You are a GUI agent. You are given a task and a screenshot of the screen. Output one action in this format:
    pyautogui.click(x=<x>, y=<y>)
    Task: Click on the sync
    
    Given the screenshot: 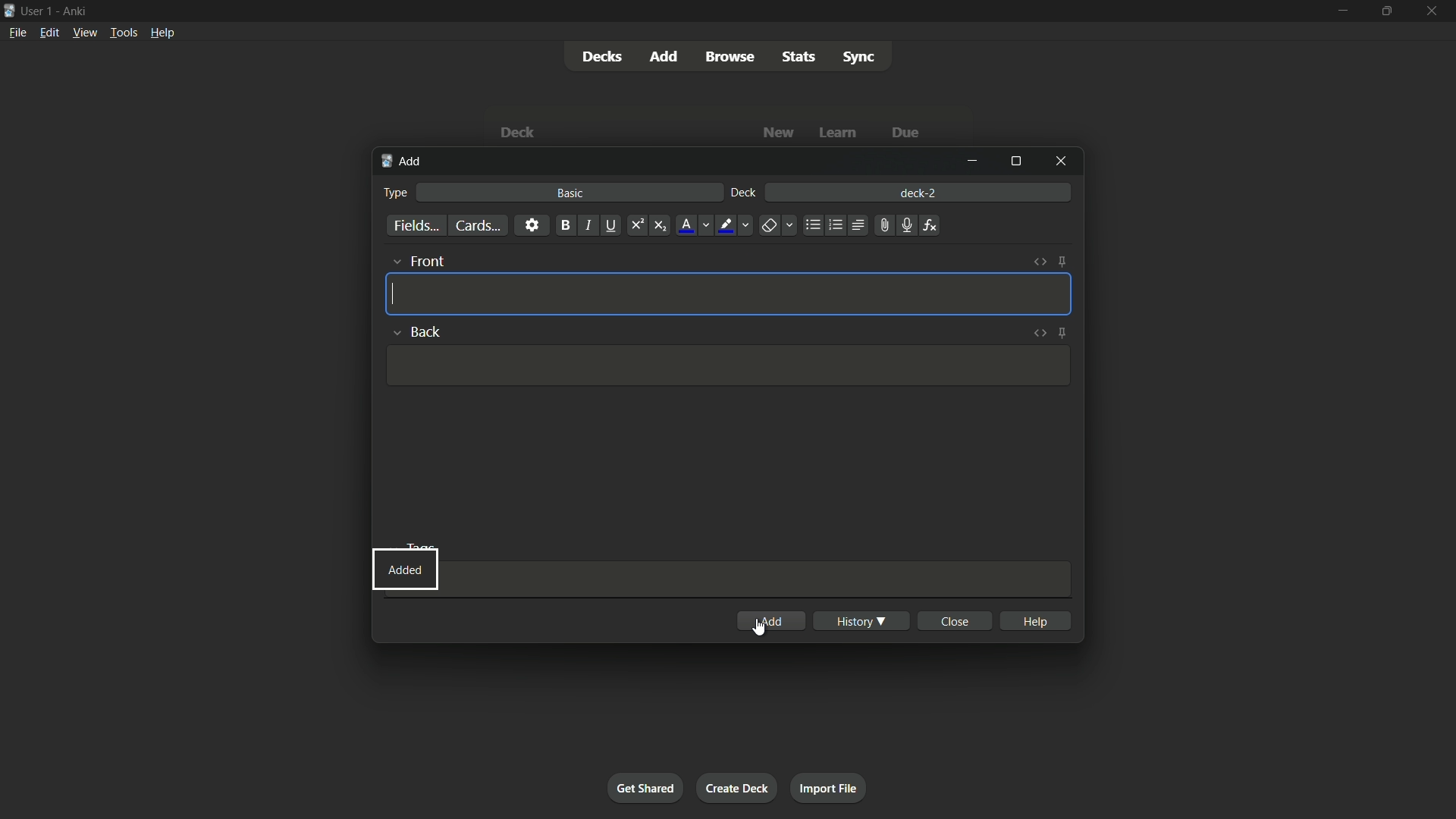 What is the action you would take?
    pyautogui.click(x=859, y=58)
    